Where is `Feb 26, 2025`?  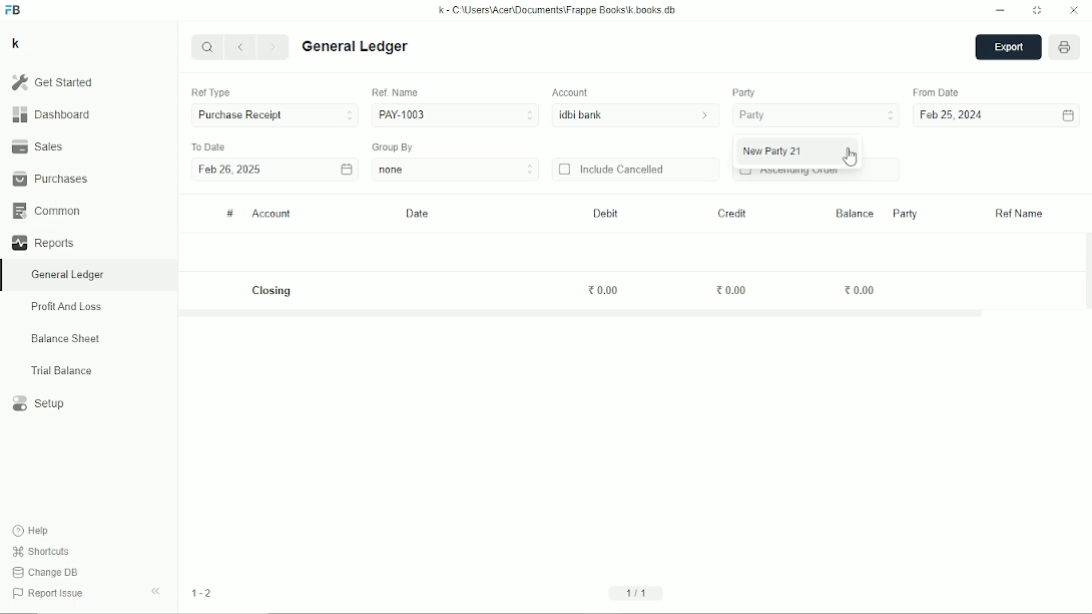
Feb 26, 2025 is located at coordinates (230, 171).